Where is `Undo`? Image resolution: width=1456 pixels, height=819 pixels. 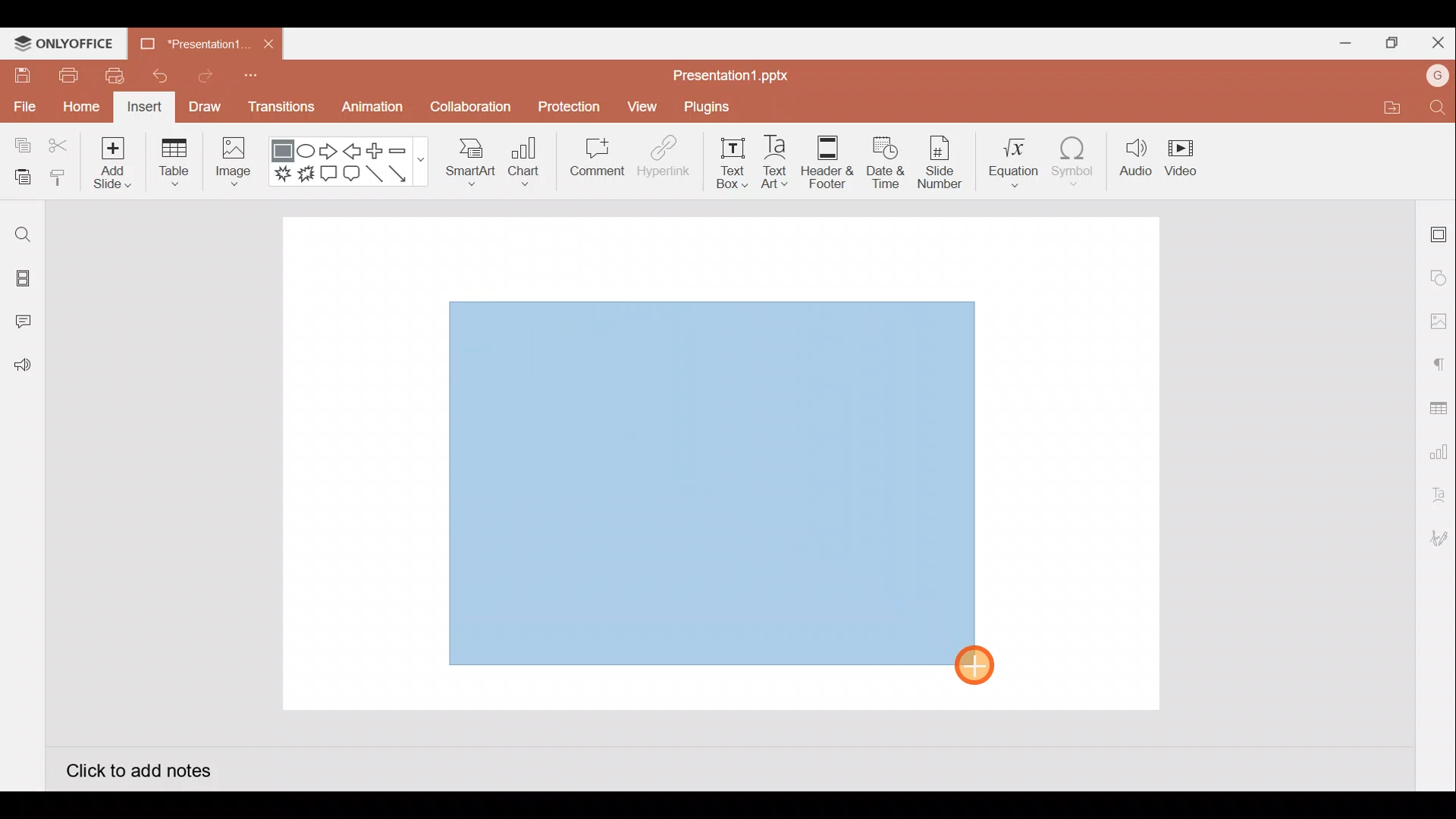 Undo is located at coordinates (154, 76).